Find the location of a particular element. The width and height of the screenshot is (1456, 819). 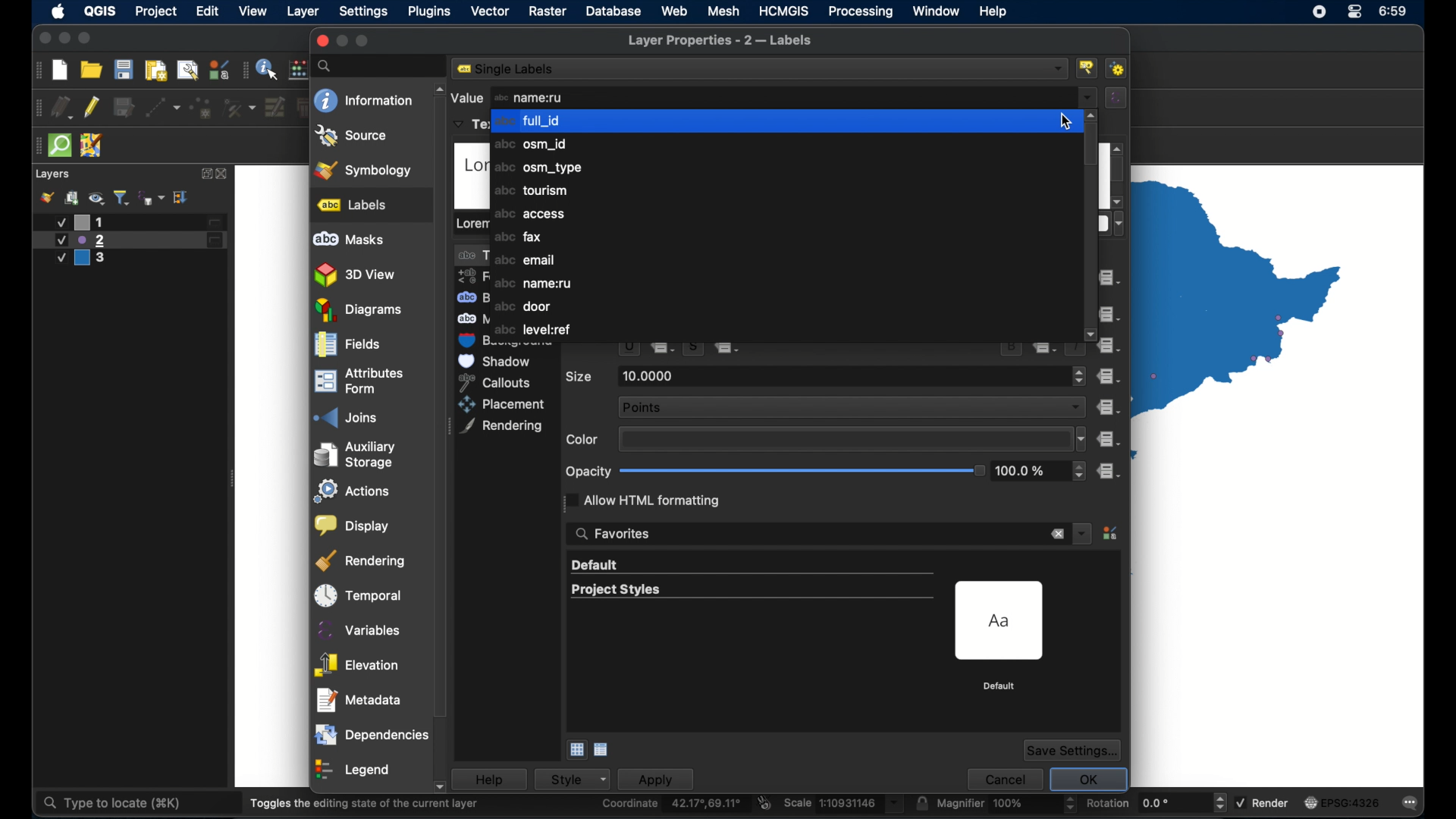

points  dropdown is located at coordinates (851, 406).